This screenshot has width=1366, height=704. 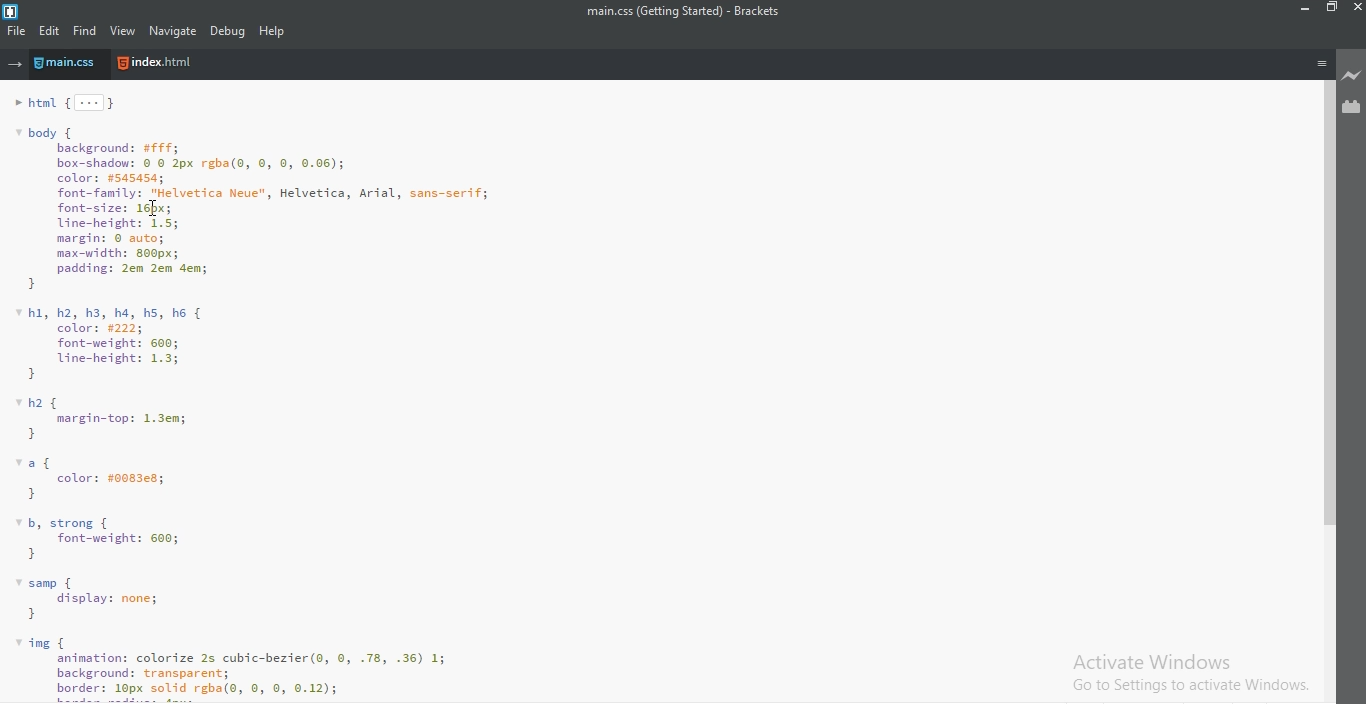 What do you see at coordinates (51, 31) in the screenshot?
I see `edit` at bounding box center [51, 31].